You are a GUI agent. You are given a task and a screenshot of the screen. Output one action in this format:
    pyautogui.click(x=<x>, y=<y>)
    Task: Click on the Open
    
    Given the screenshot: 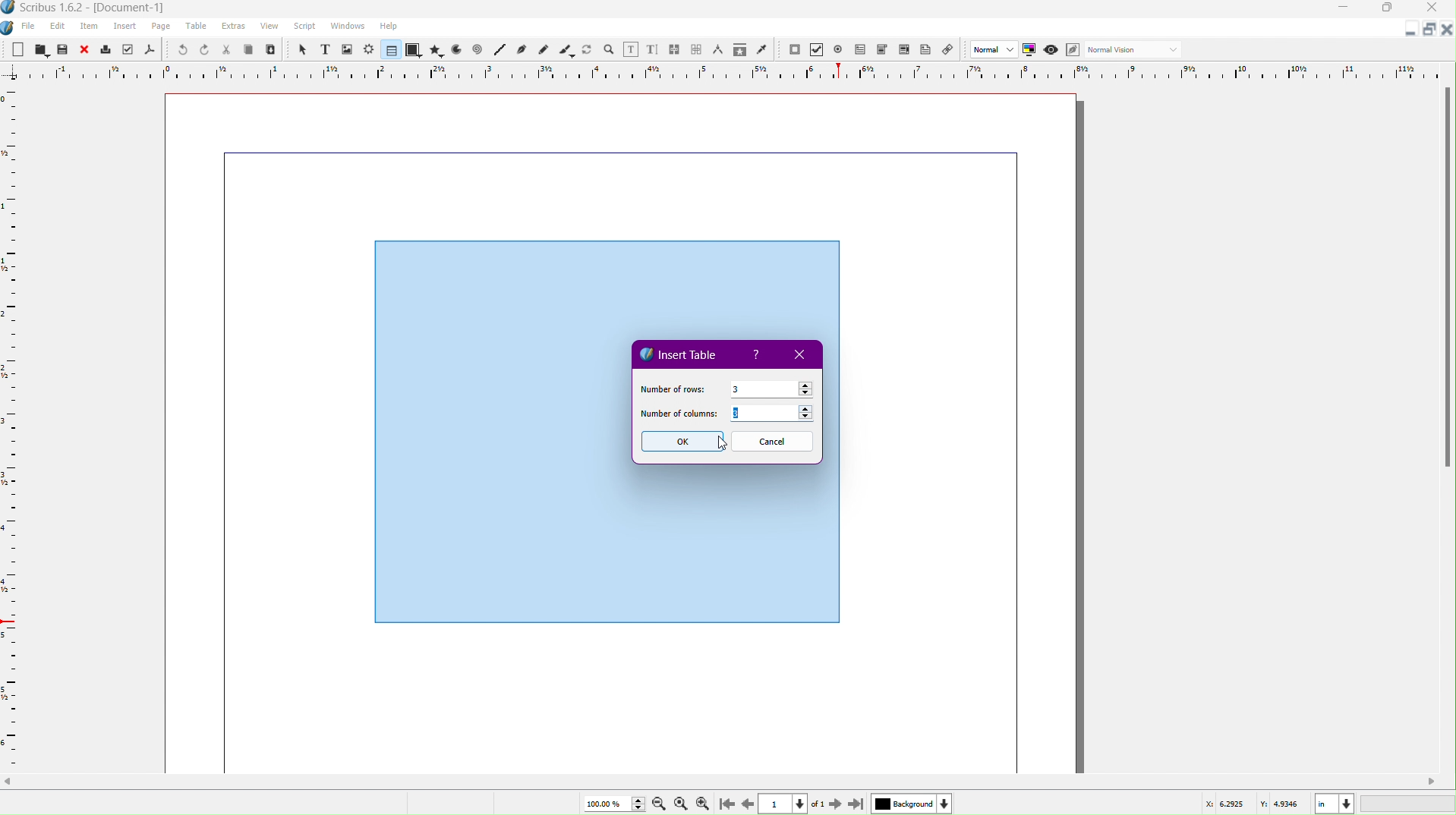 What is the action you would take?
    pyautogui.click(x=41, y=49)
    